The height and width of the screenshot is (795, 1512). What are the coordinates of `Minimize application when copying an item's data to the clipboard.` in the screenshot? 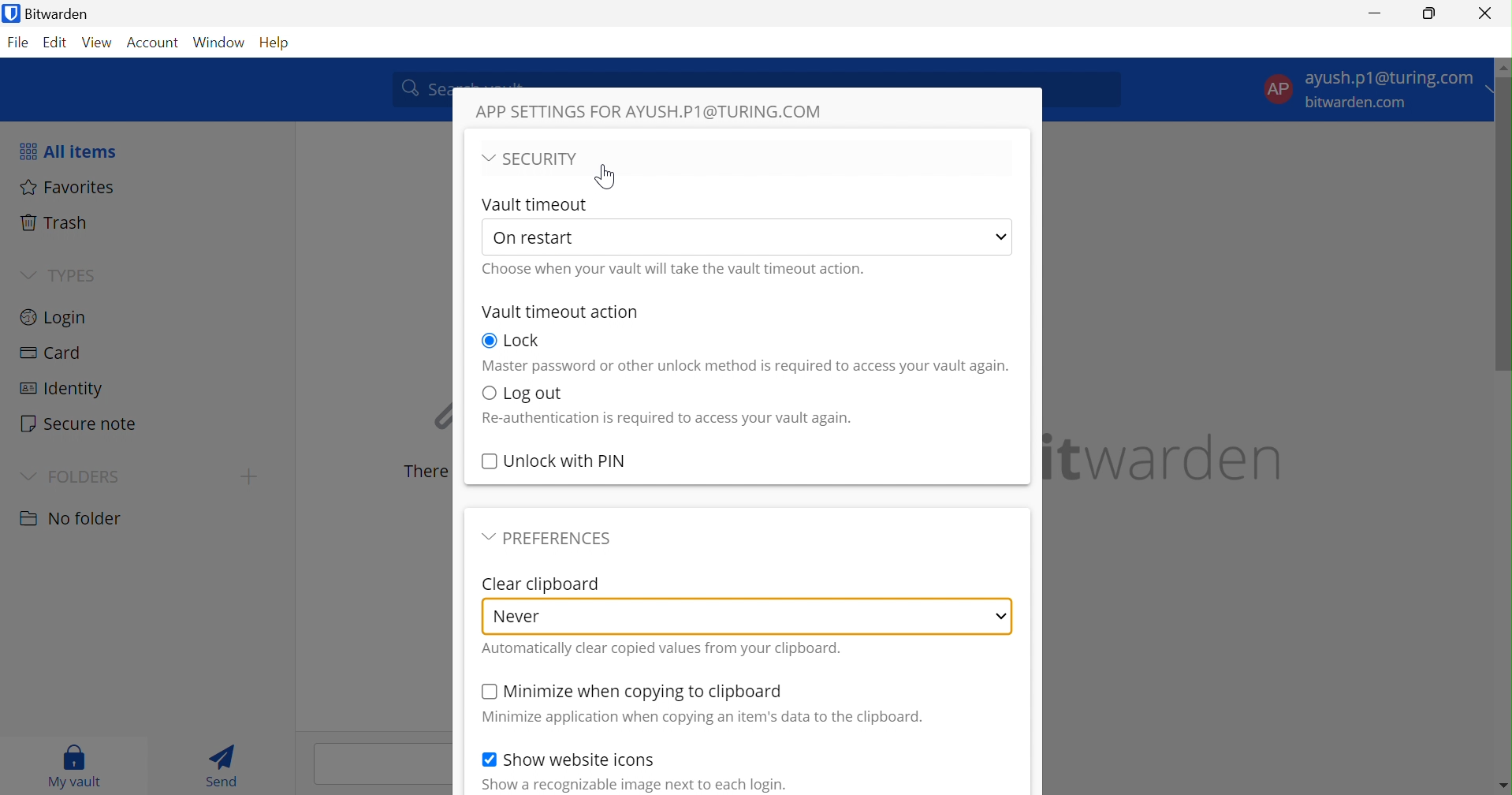 It's located at (706, 718).